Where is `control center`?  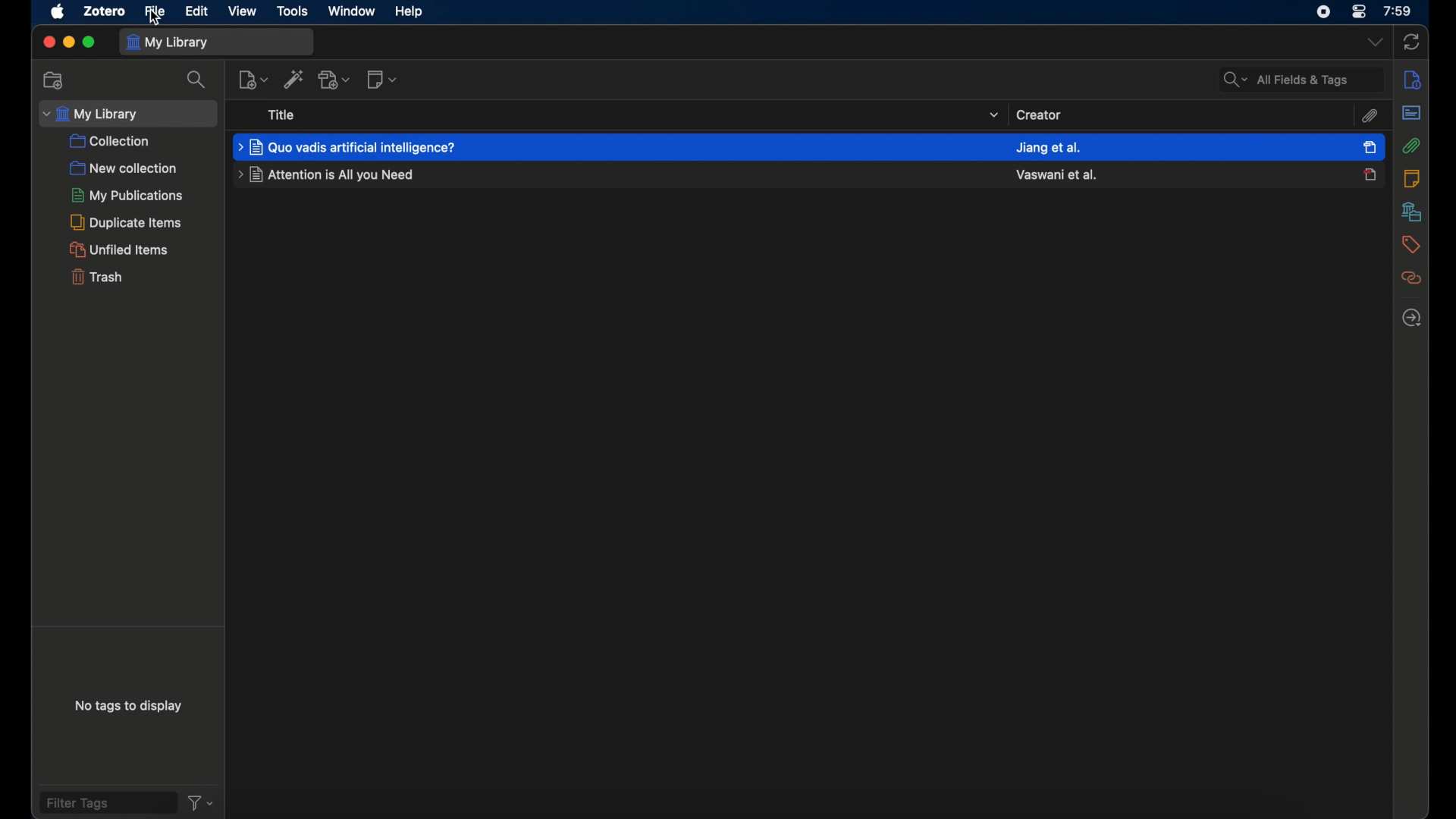
control center is located at coordinates (1360, 11).